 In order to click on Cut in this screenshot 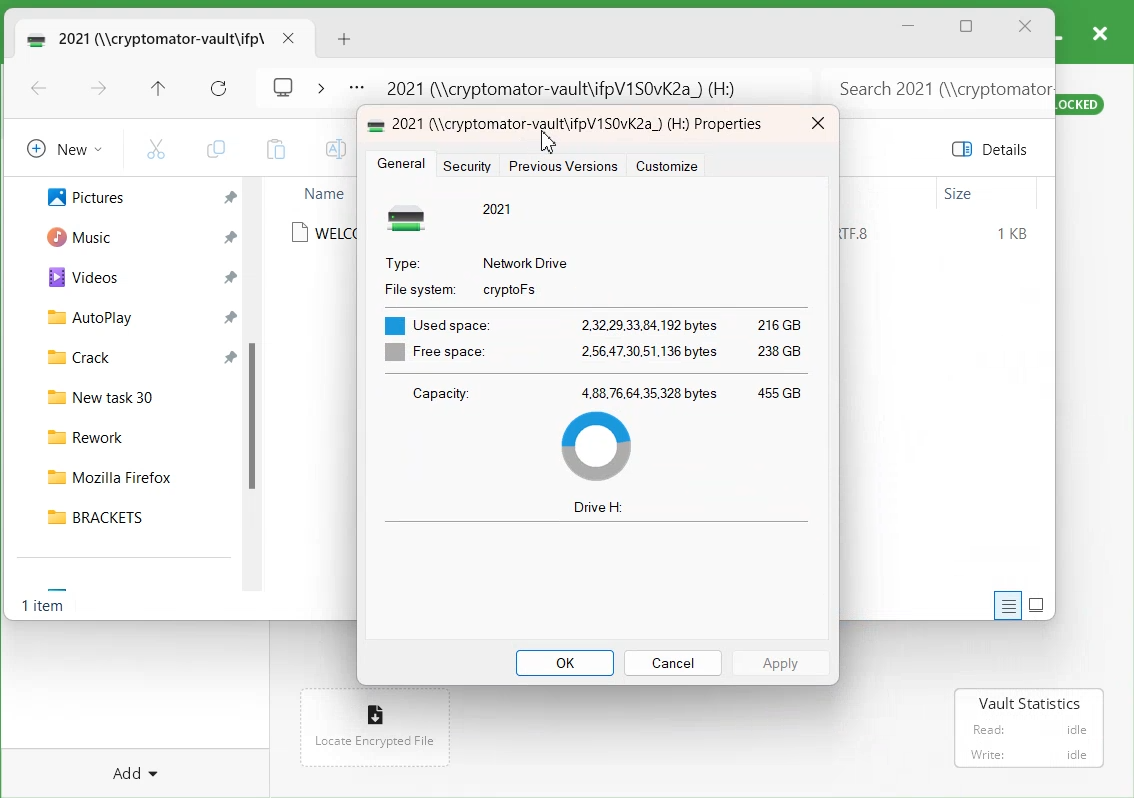, I will do `click(156, 148)`.